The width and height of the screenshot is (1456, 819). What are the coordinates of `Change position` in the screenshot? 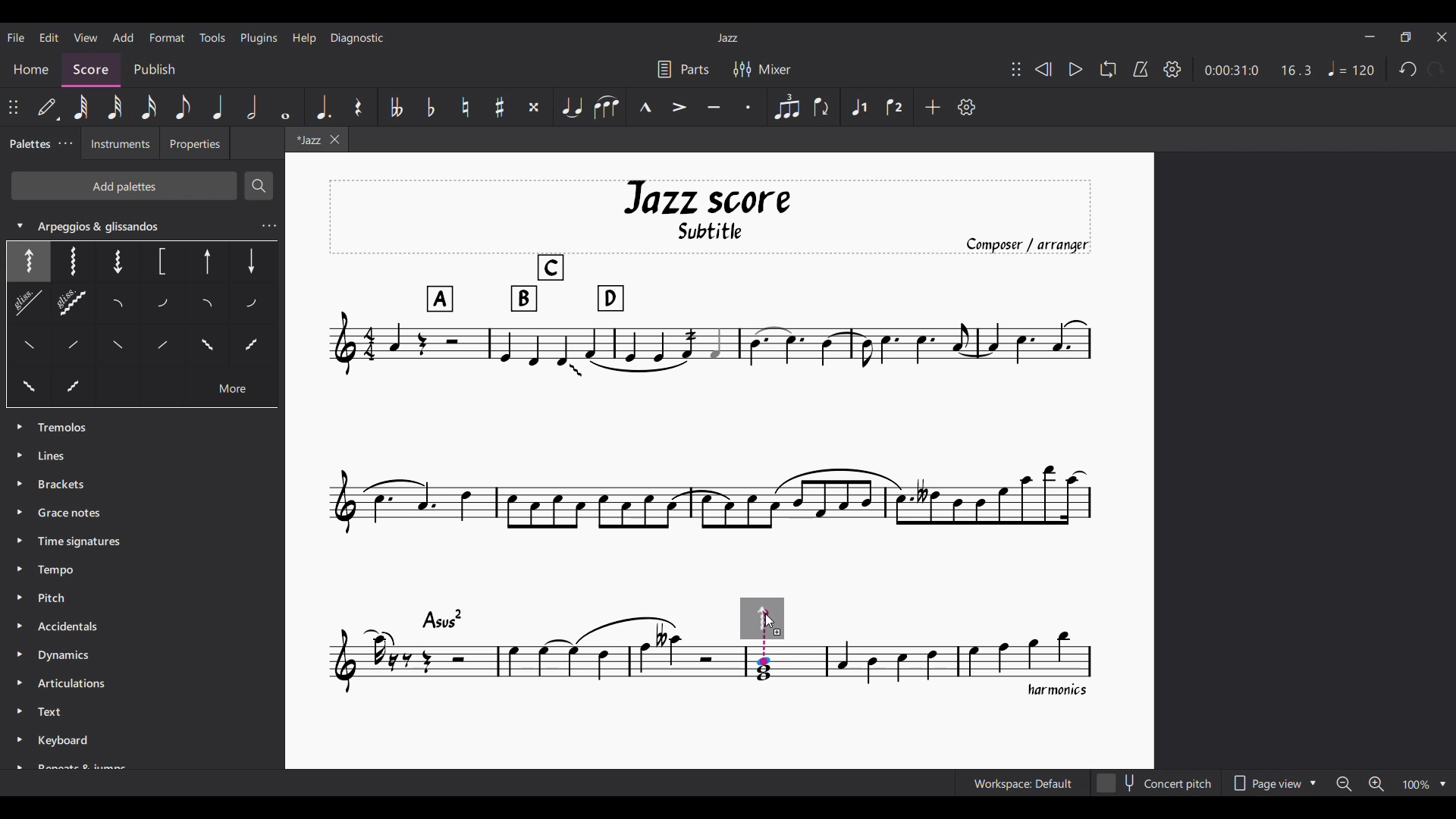 It's located at (13, 107).